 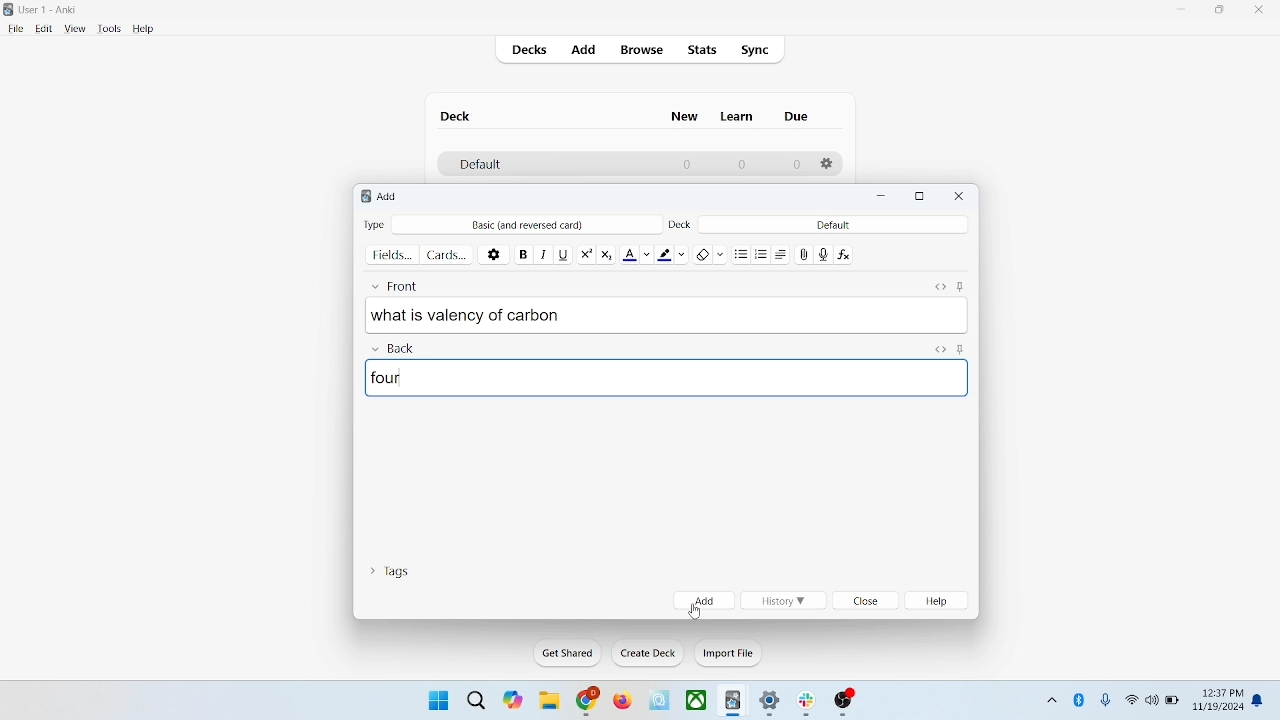 I want to click on unordered list, so click(x=741, y=253).